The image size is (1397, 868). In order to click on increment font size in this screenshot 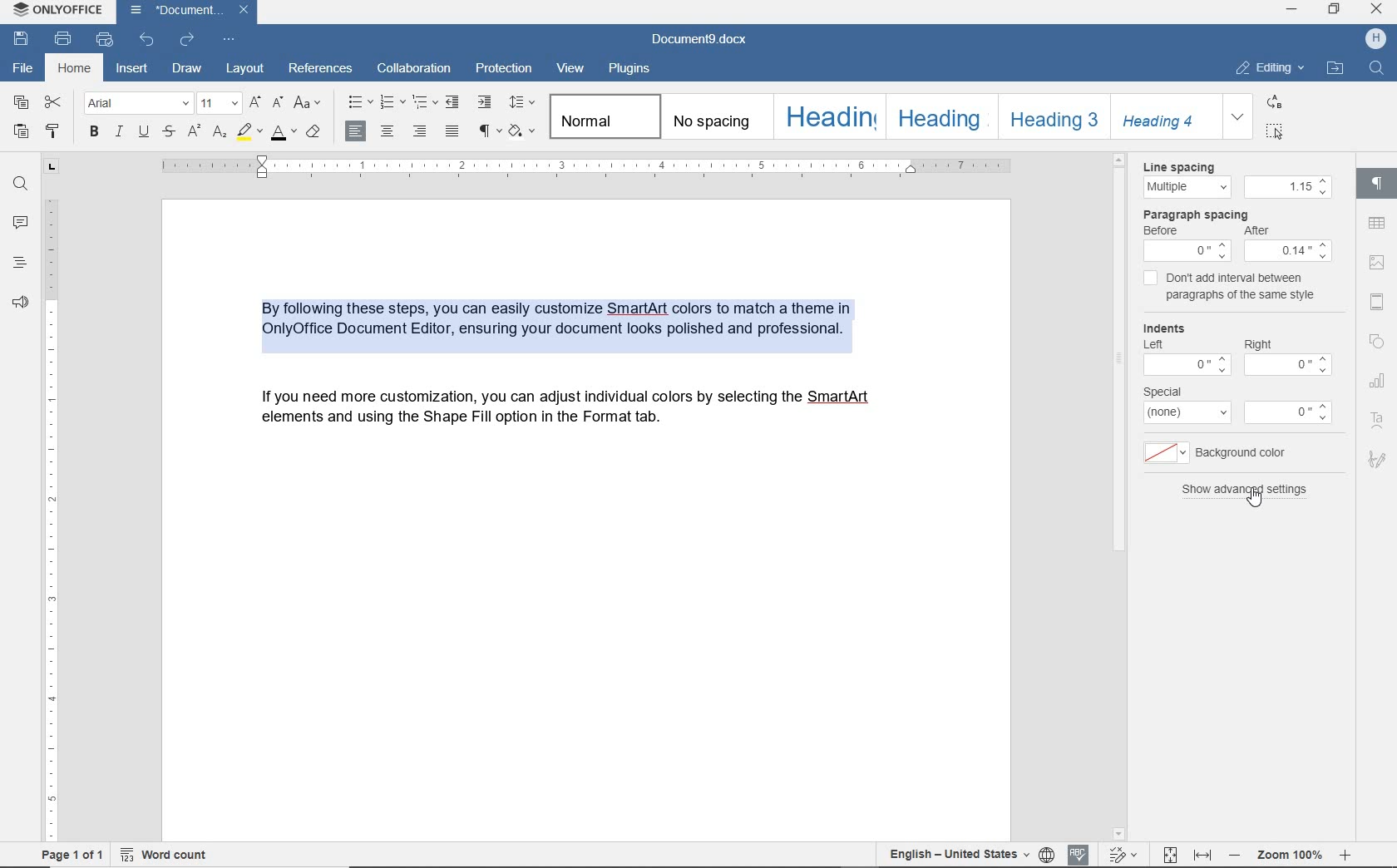, I will do `click(255, 102)`.